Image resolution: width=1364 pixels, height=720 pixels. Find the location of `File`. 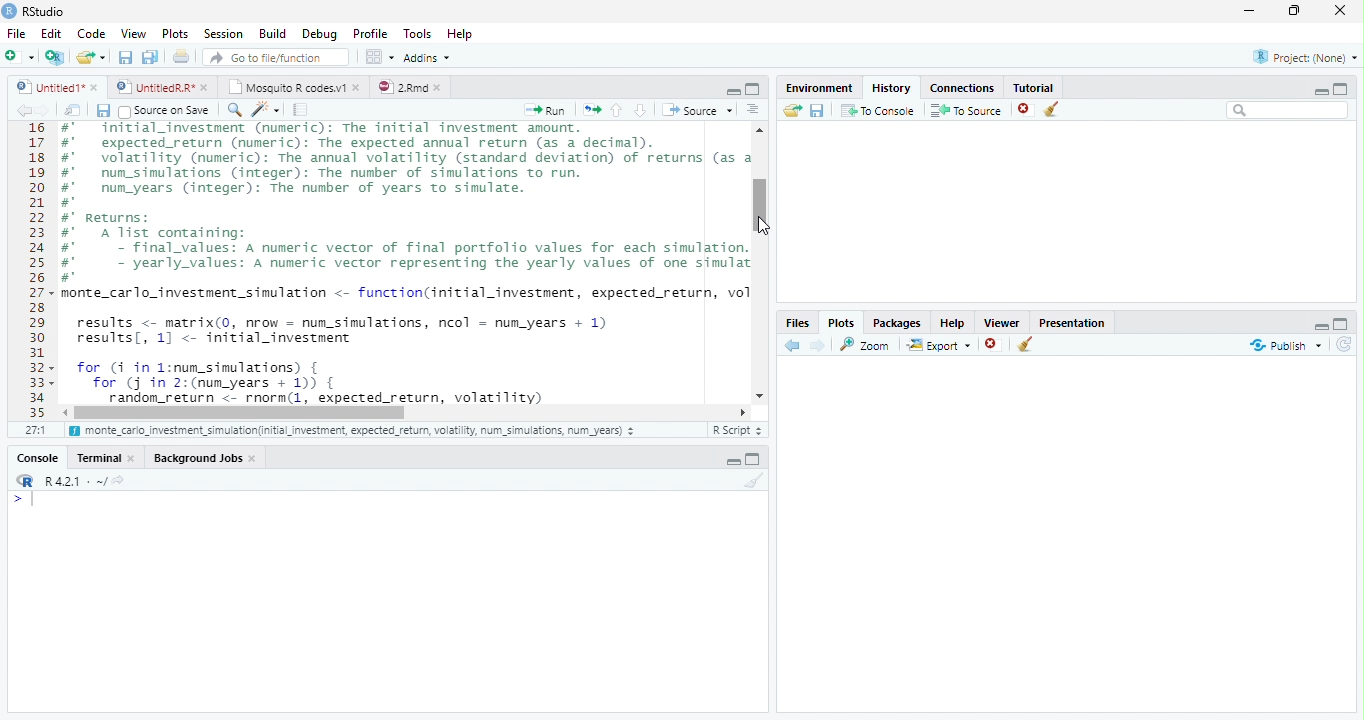

File is located at coordinates (15, 33).